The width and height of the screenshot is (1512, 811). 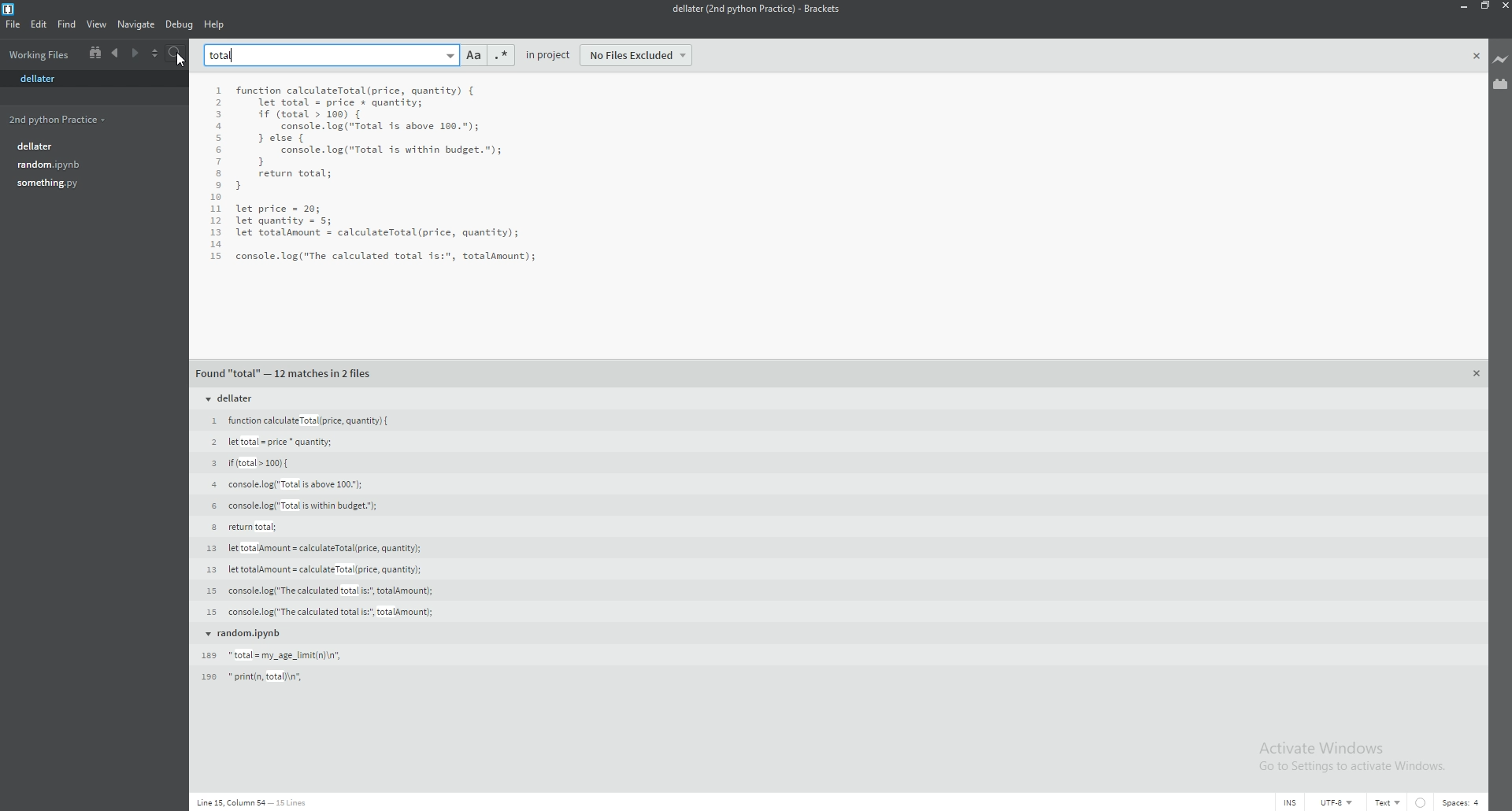 What do you see at coordinates (219, 139) in the screenshot?
I see `5` at bounding box center [219, 139].